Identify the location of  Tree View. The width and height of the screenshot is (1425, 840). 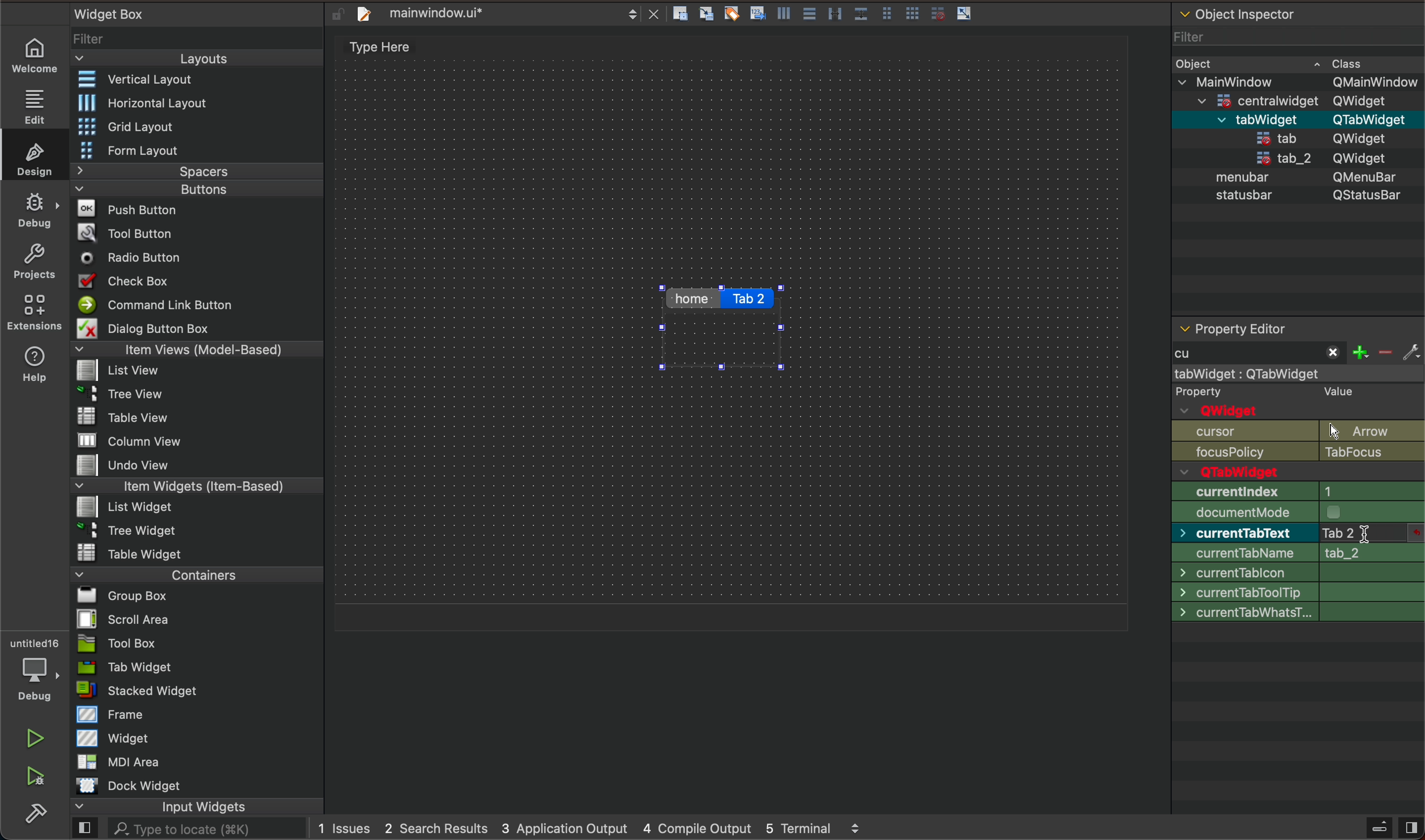
(122, 392).